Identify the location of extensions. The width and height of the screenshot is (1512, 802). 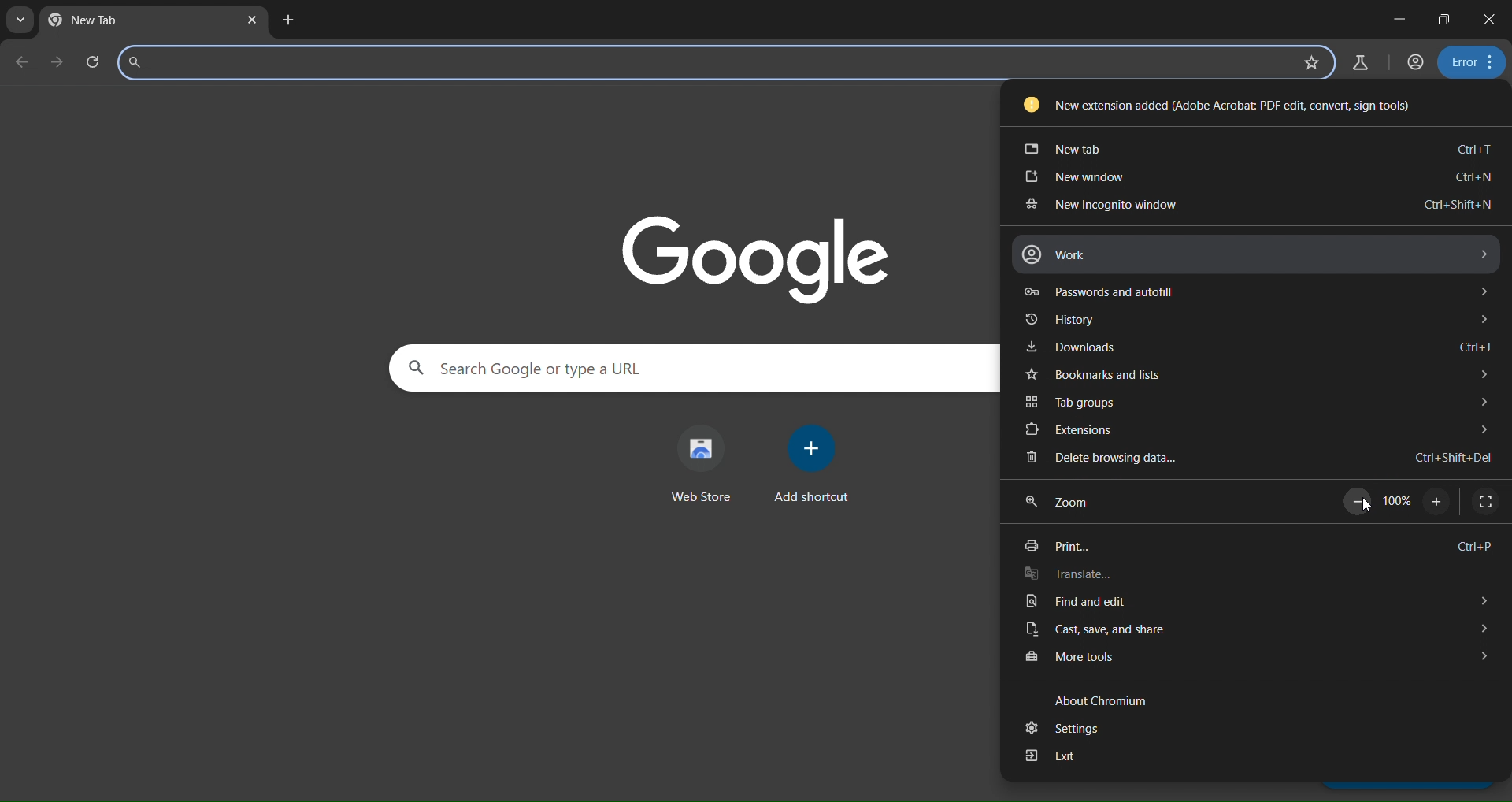
(1258, 429).